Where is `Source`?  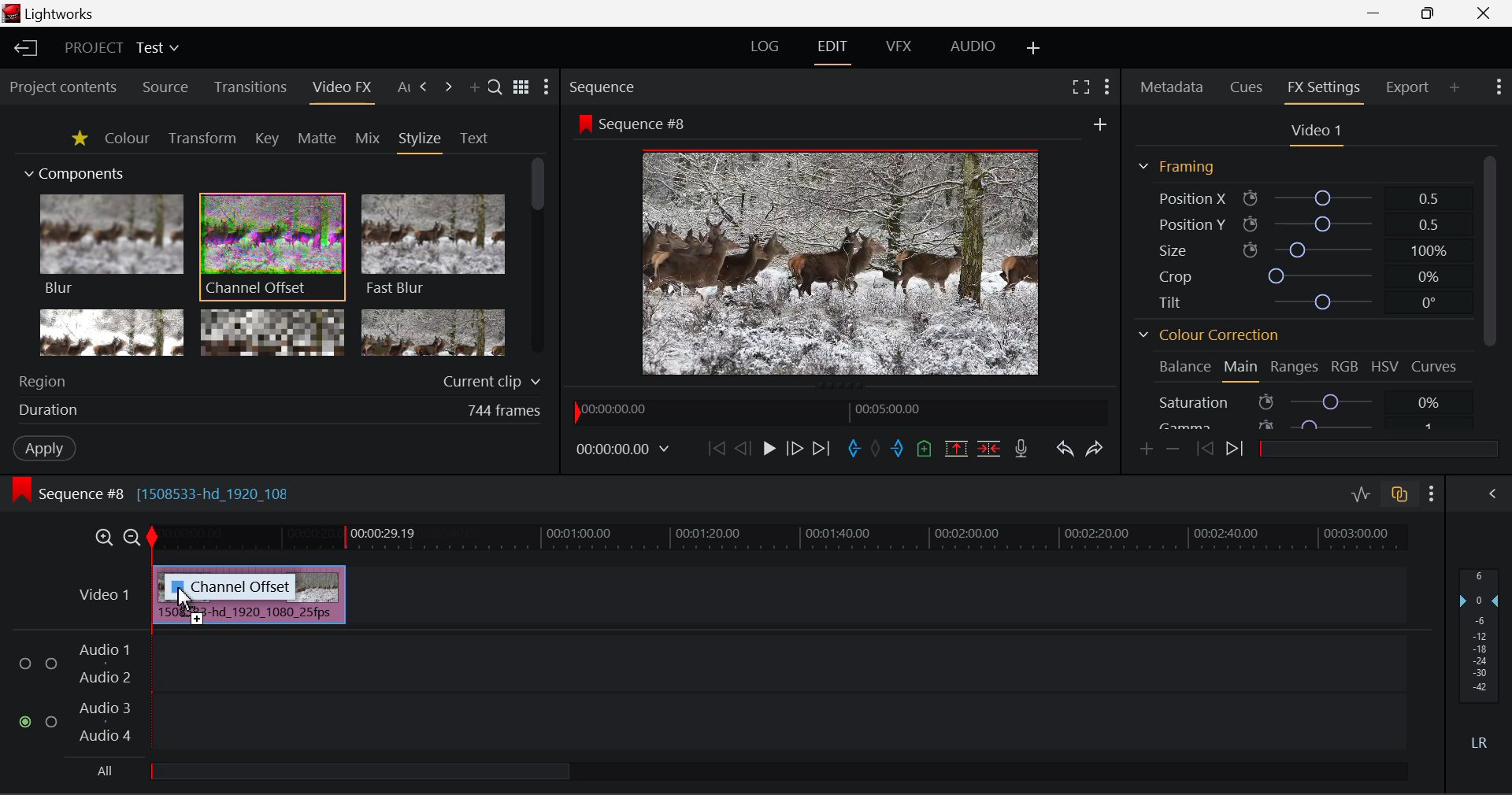
Source is located at coordinates (167, 87).